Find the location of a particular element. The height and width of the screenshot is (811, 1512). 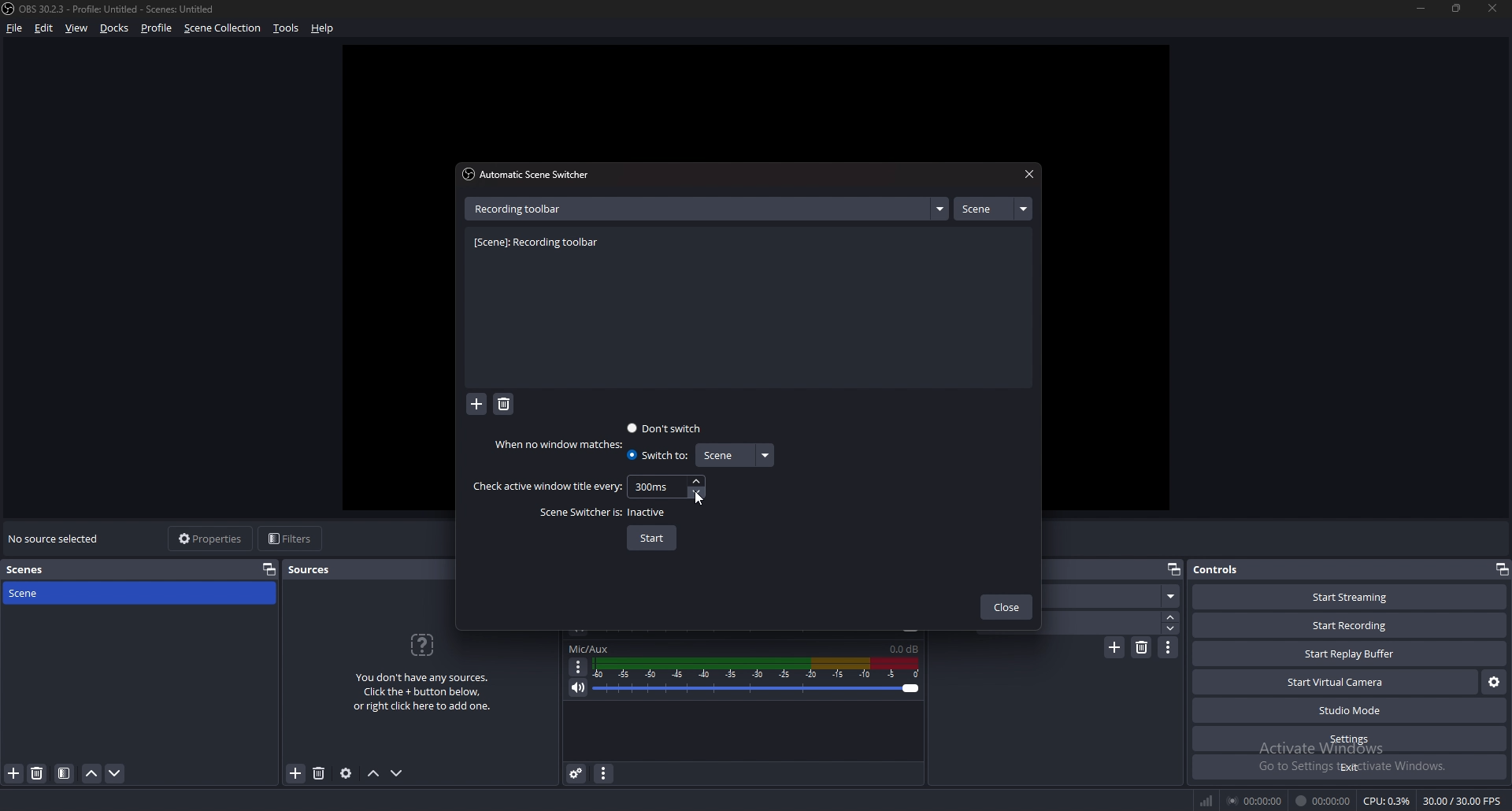

add scene is located at coordinates (14, 772).